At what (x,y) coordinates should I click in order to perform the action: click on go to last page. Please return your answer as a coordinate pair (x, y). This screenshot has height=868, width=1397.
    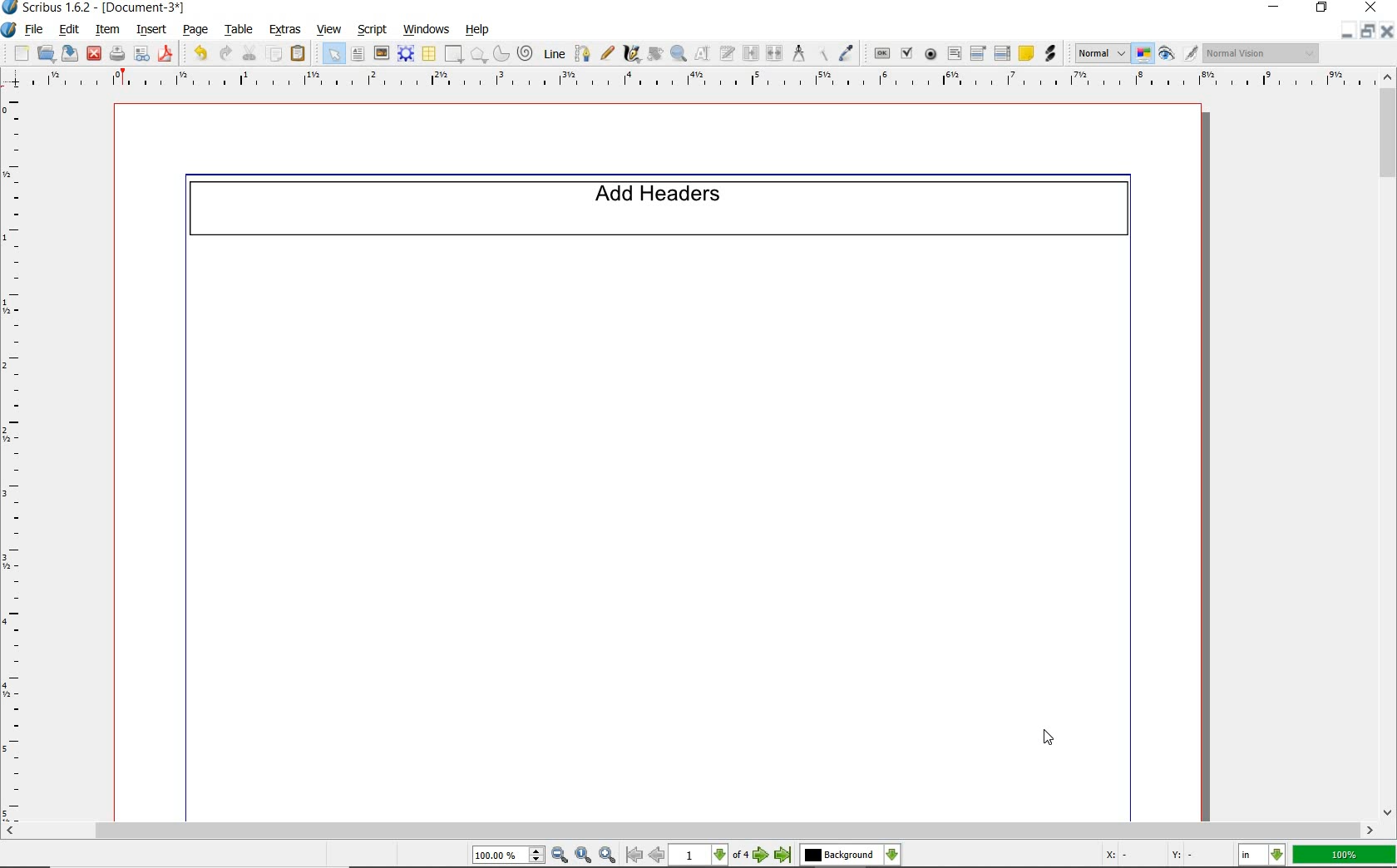
    Looking at the image, I should click on (783, 856).